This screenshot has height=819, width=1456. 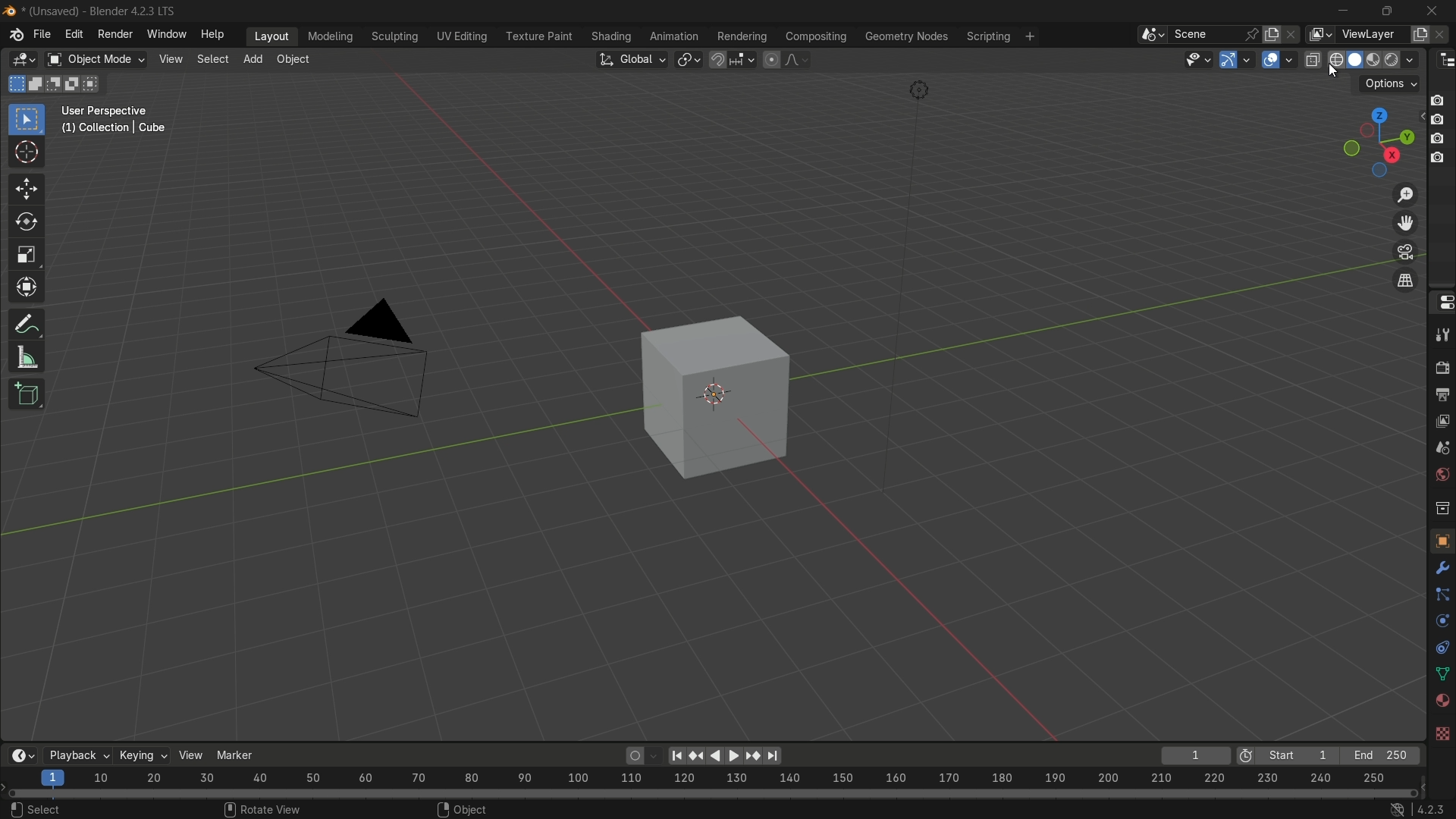 I want to click on marker, so click(x=234, y=757).